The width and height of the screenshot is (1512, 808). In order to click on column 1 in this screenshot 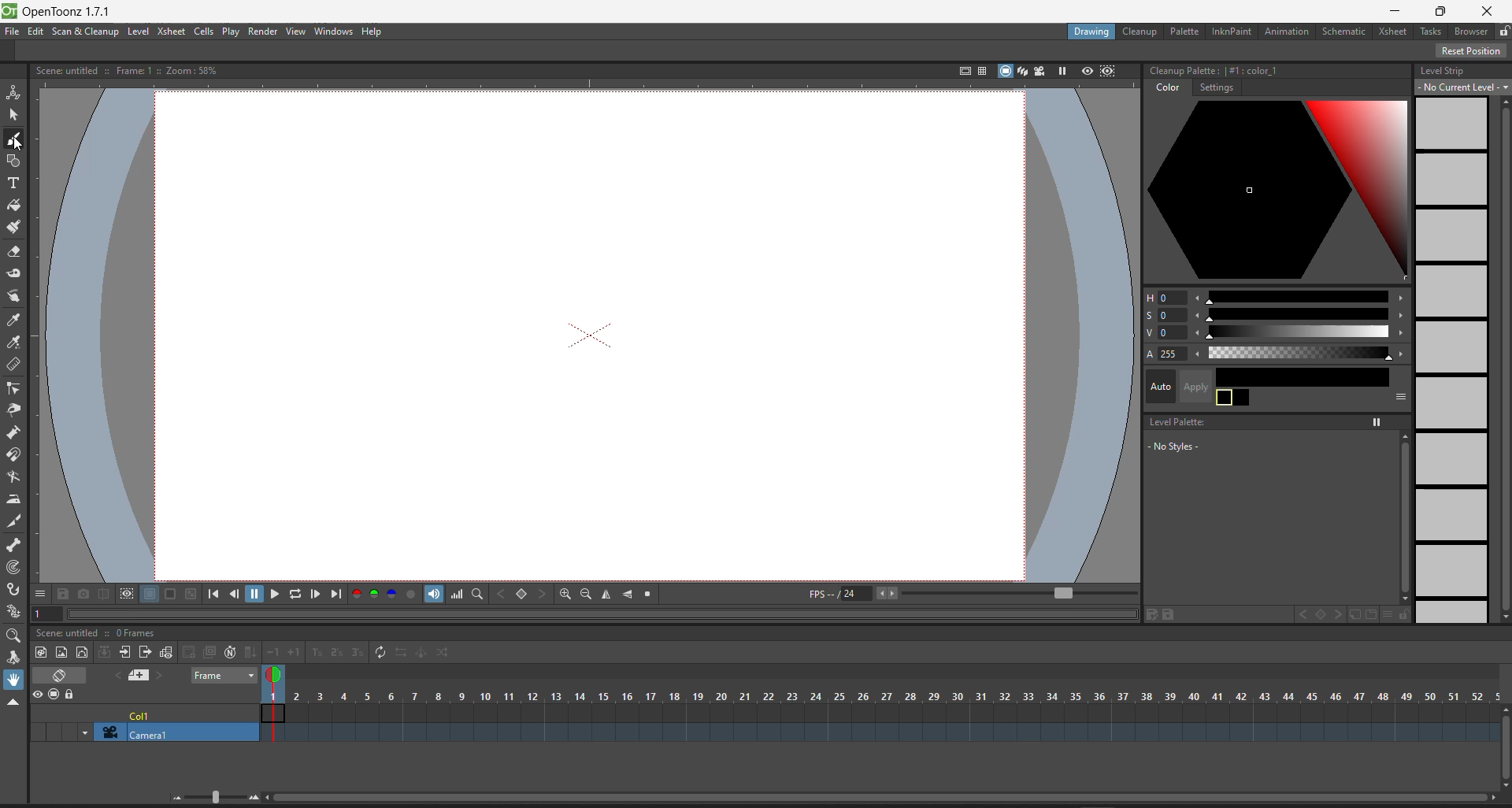, I will do `click(171, 710)`.